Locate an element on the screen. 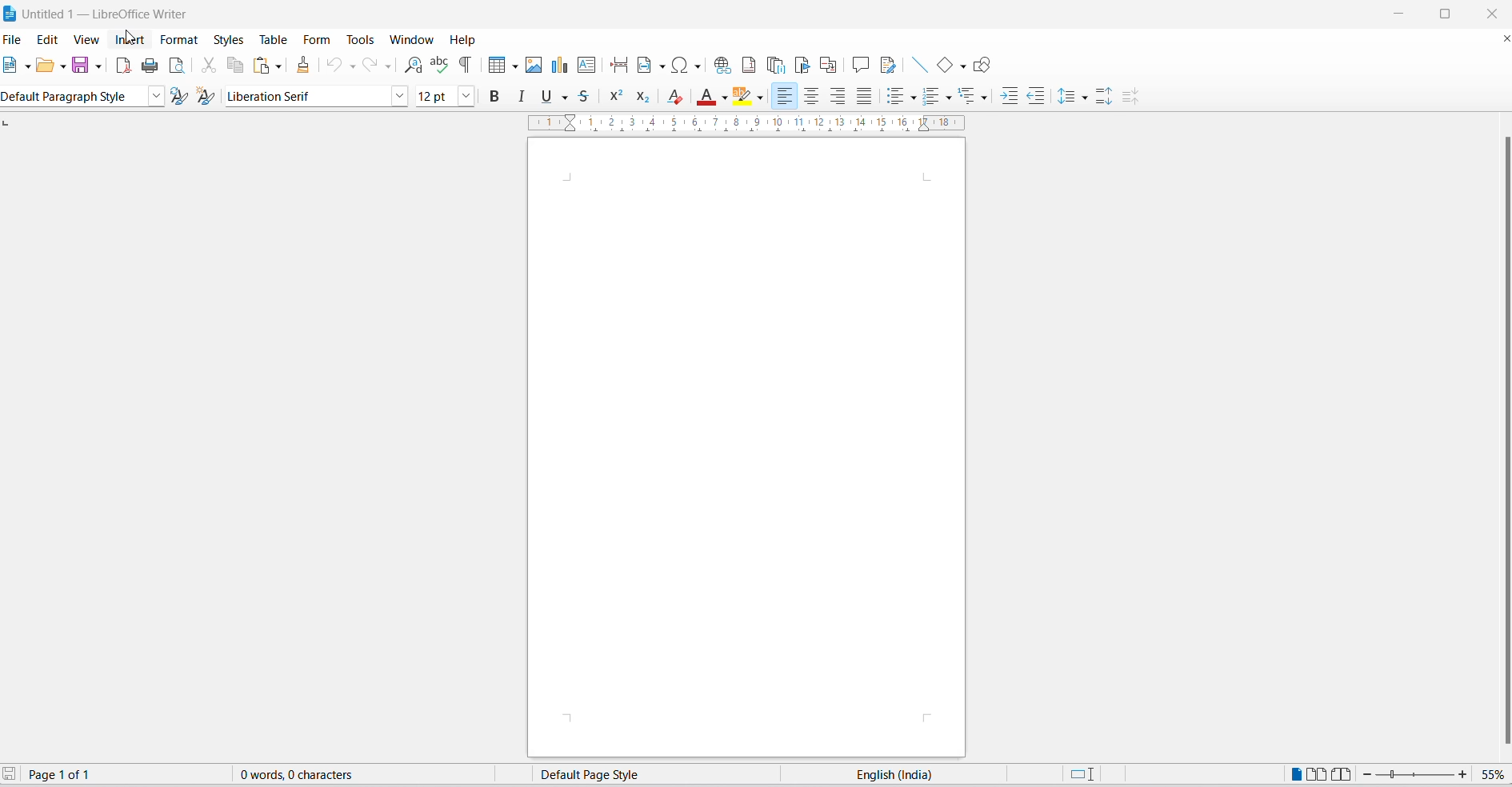 The height and width of the screenshot is (787, 1512). edit is located at coordinates (50, 38).